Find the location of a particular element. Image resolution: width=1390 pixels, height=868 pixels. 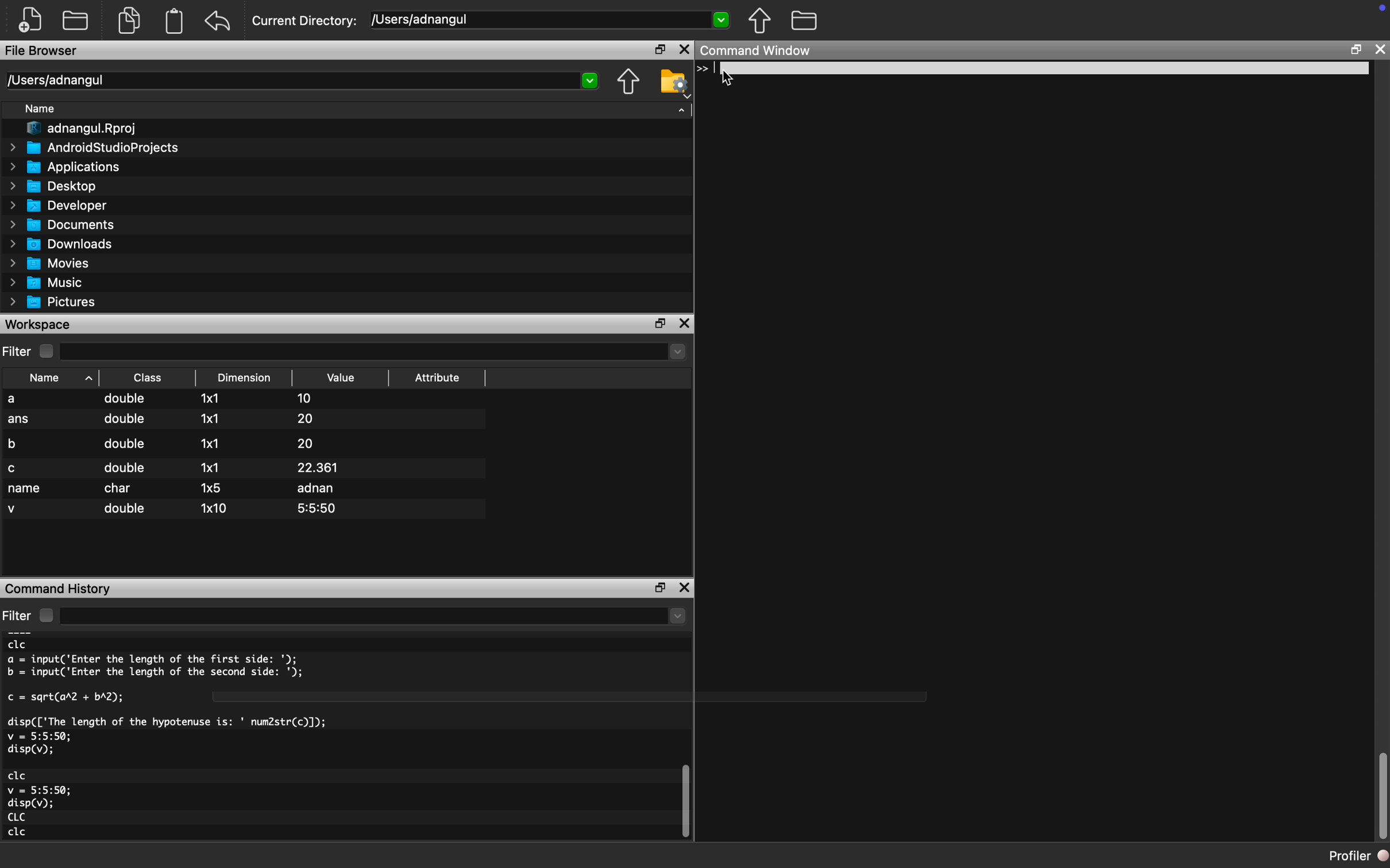

Close is located at coordinates (1382, 49).